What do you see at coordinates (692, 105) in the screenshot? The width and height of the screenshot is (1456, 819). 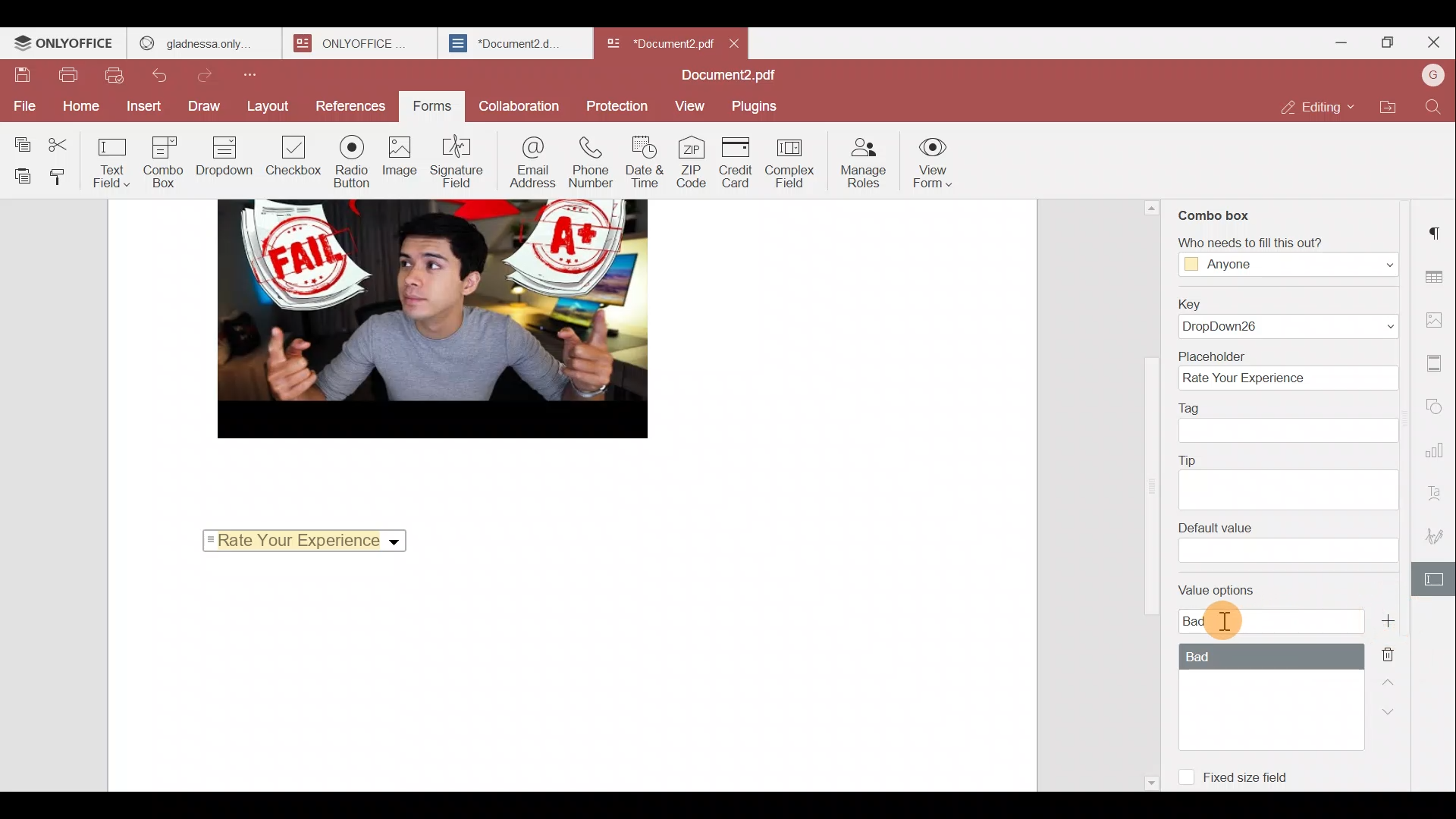 I see `View` at bounding box center [692, 105].